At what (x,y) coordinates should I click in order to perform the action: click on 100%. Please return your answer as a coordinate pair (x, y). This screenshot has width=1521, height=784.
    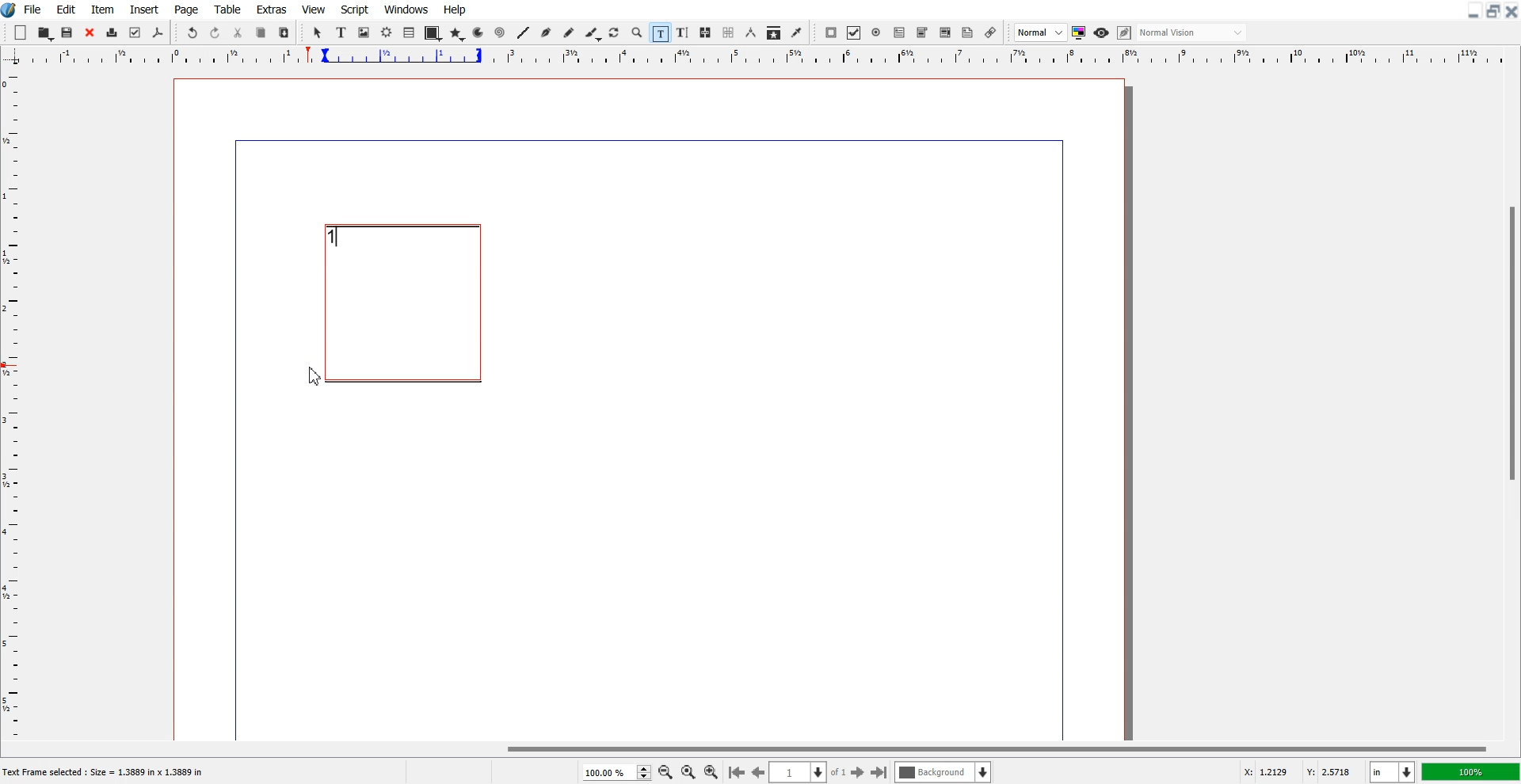
    Looking at the image, I should click on (1472, 771).